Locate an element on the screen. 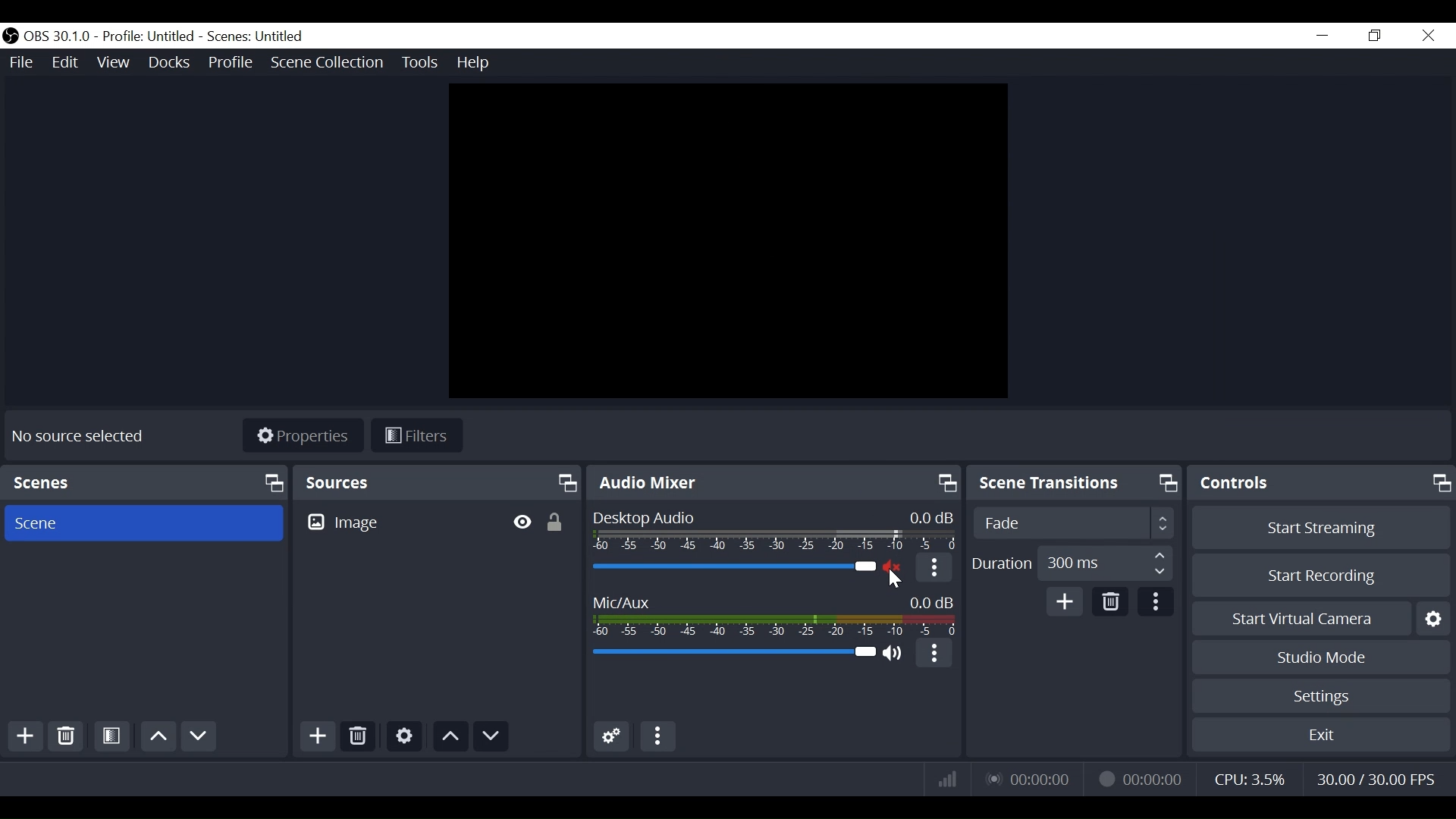  Select Scene Transition is located at coordinates (1072, 523).